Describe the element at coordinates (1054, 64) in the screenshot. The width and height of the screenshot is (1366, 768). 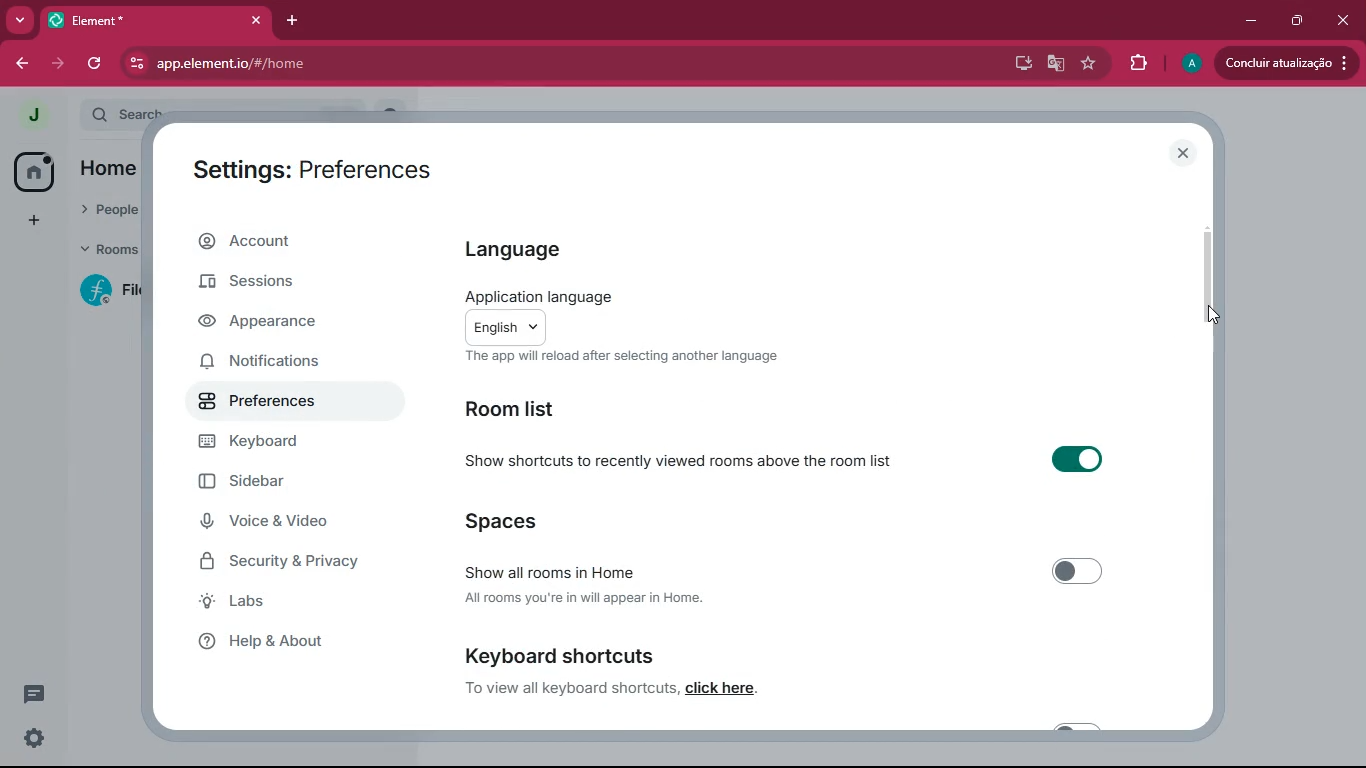
I see `google translate` at that location.